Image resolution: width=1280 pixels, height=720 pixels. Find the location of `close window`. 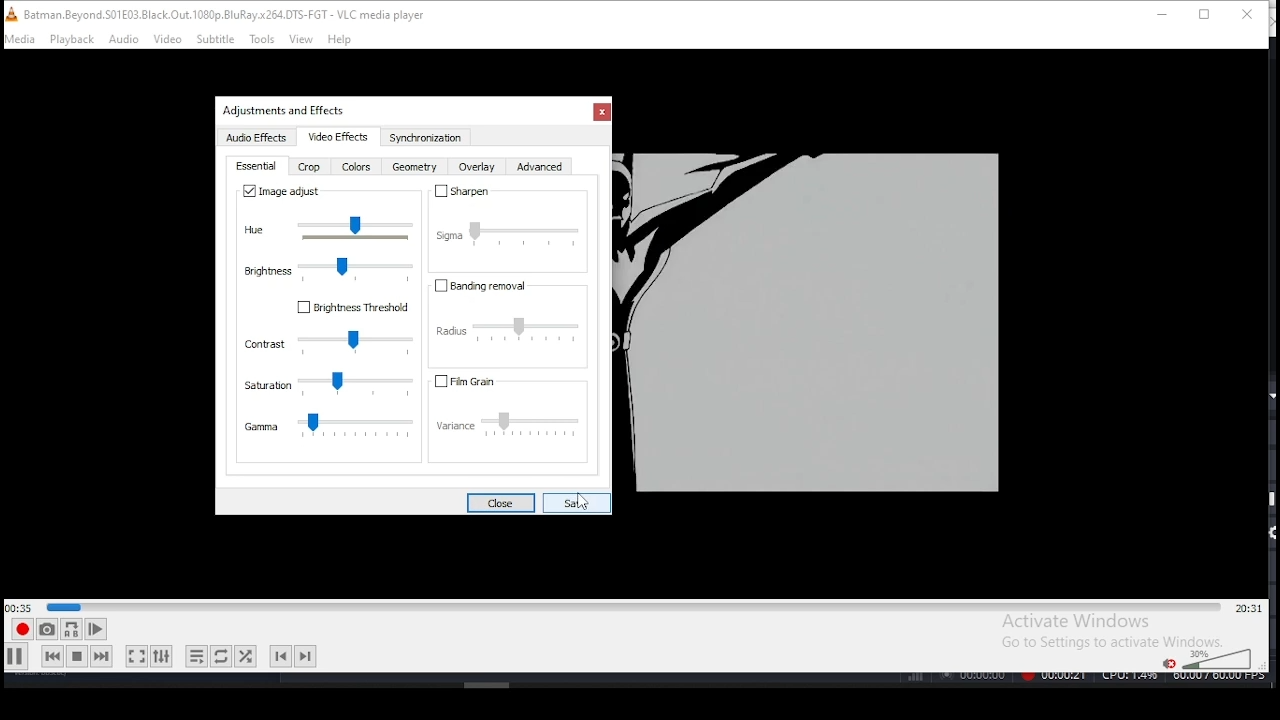

close window is located at coordinates (1248, 16).